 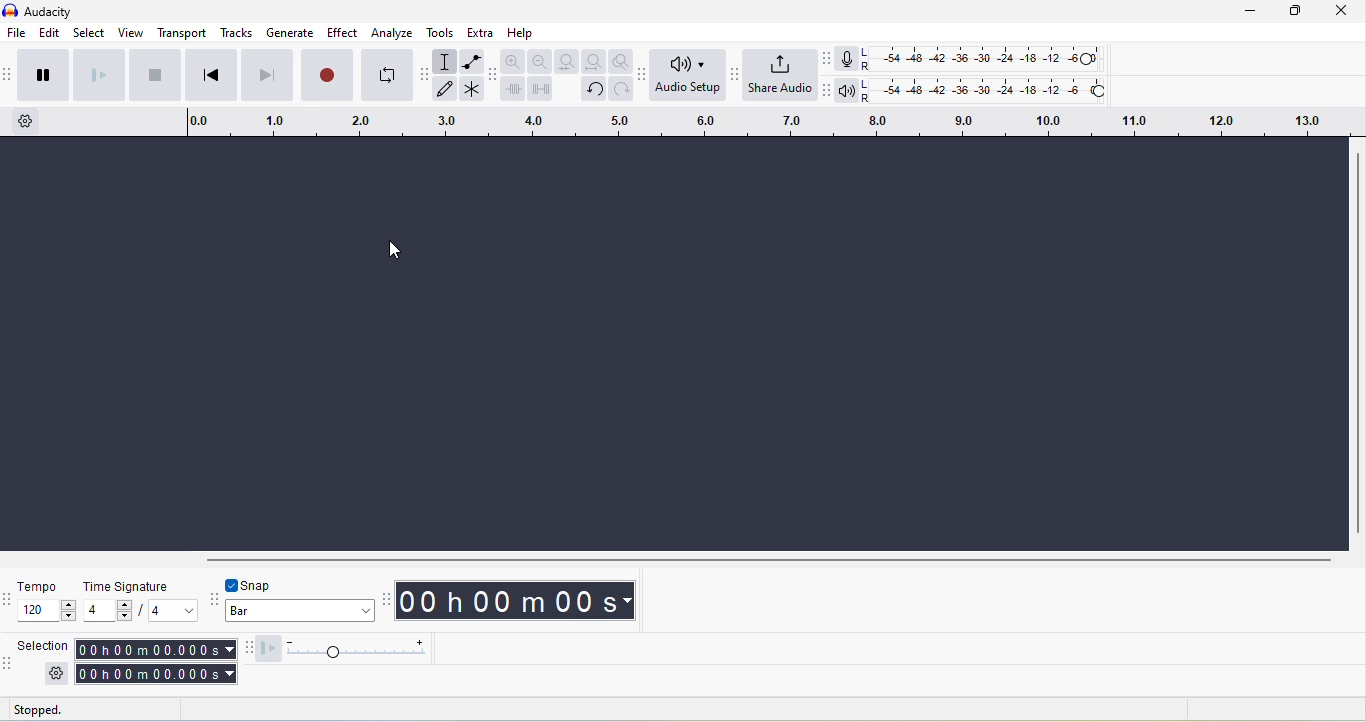 I want to click on cursor, so click(x=396, y=248).